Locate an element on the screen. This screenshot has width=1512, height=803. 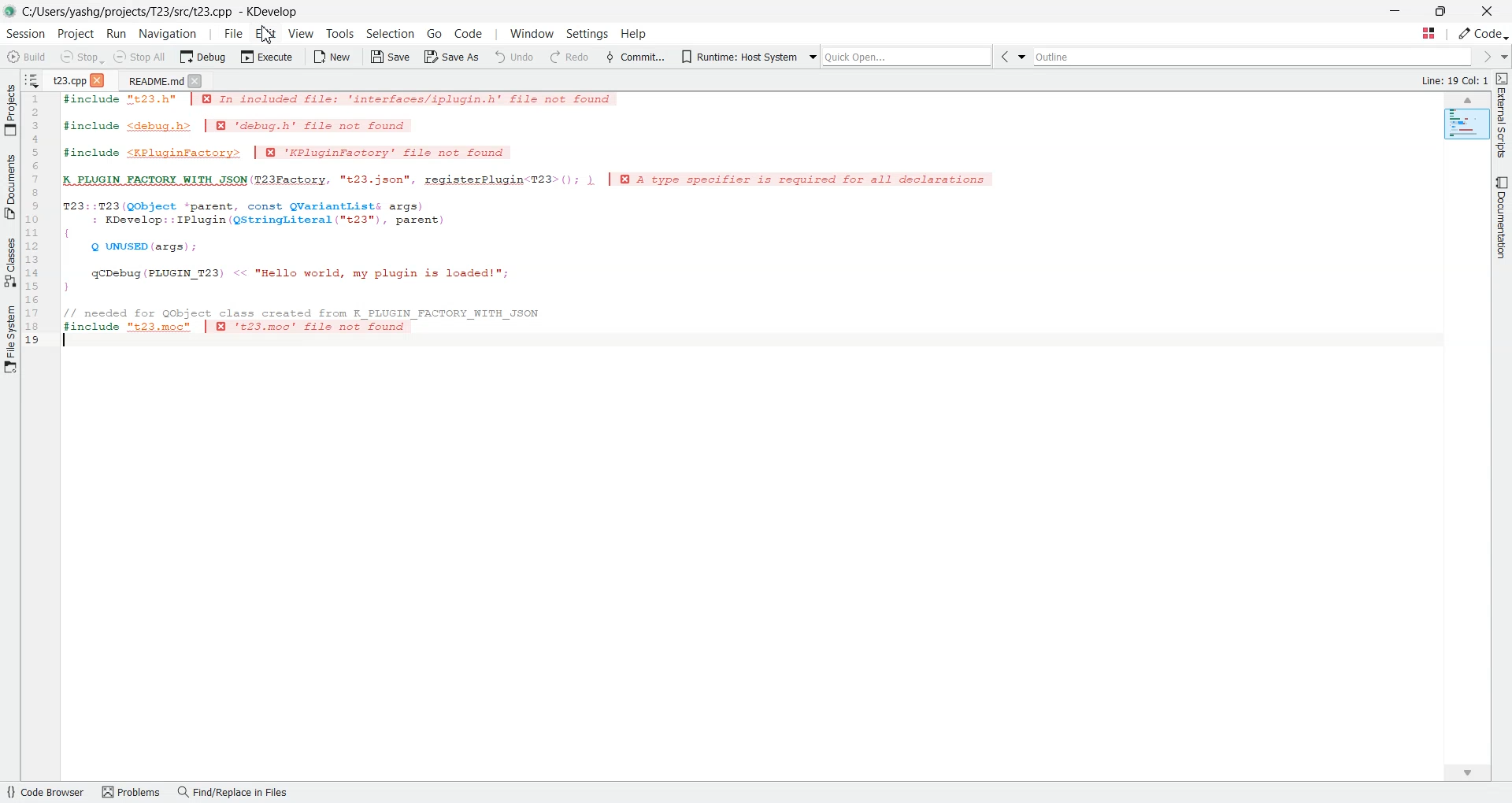
Go back is located at coordinates (1007, 57).